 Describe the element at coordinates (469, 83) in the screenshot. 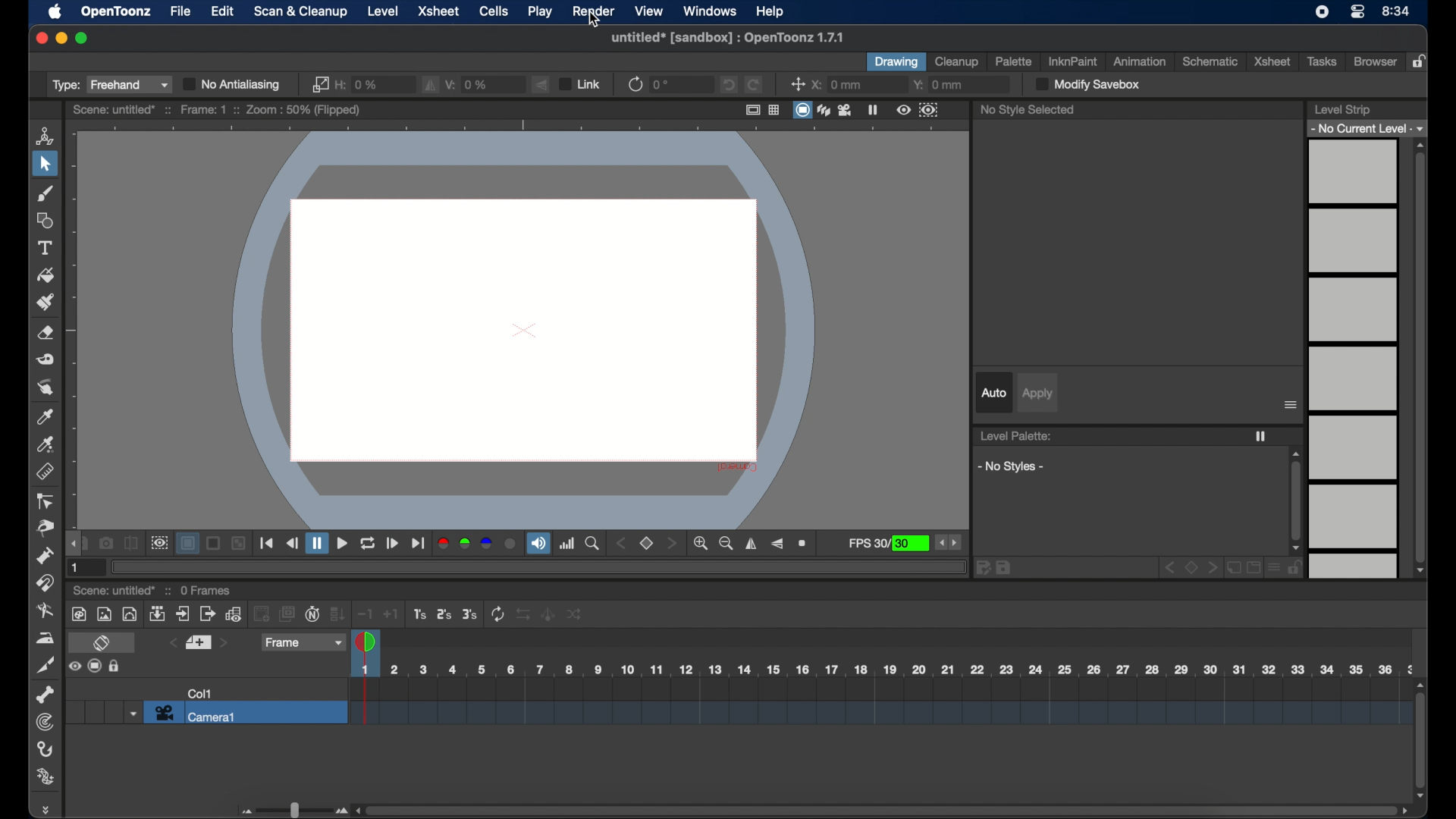

I see `v` at that location.